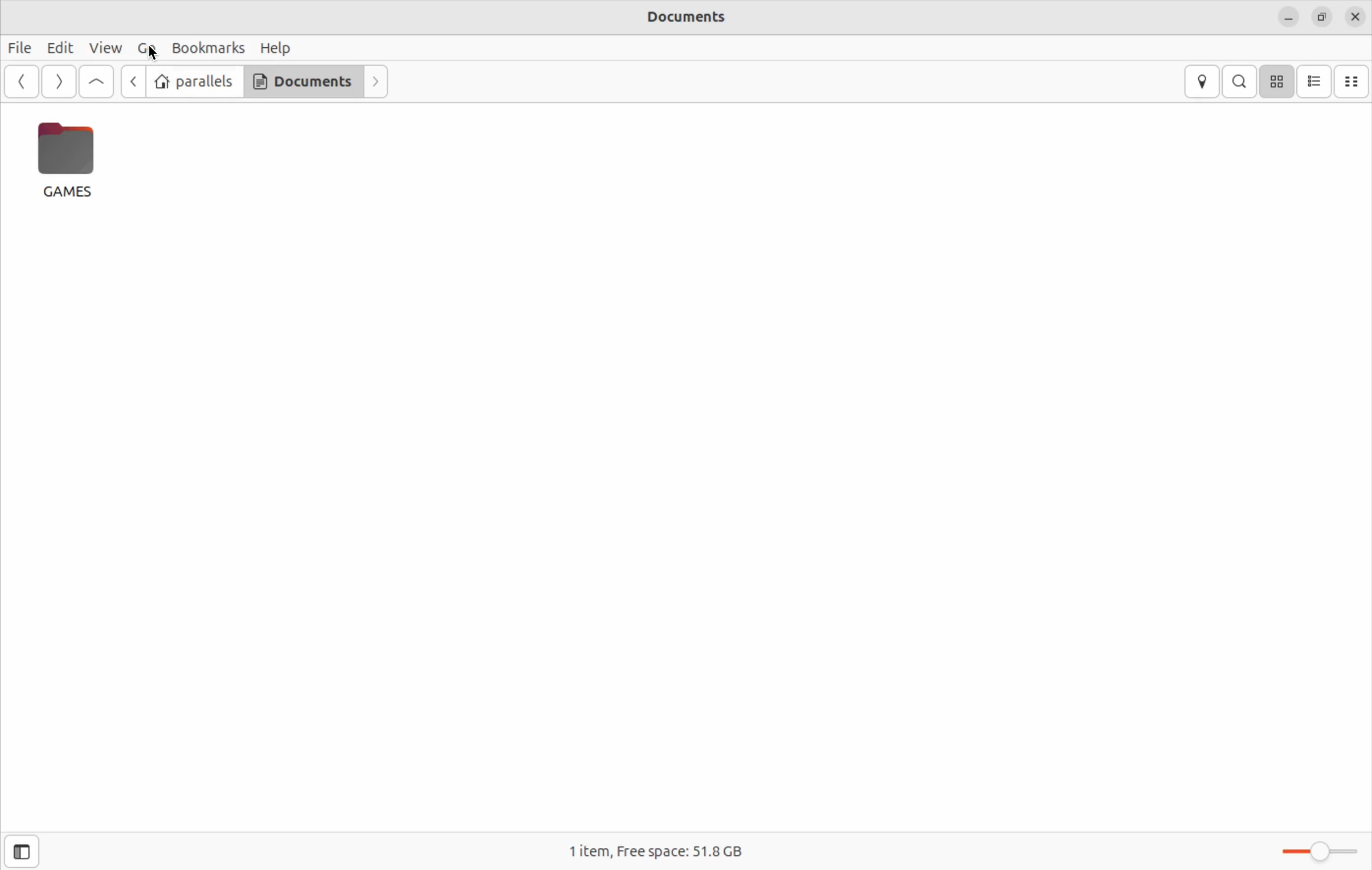 This screenshot has height=870, width=1372. What do you see at coordinates (281, 48) in the screenshot?
I see `help` at bounding box center [281, 48].